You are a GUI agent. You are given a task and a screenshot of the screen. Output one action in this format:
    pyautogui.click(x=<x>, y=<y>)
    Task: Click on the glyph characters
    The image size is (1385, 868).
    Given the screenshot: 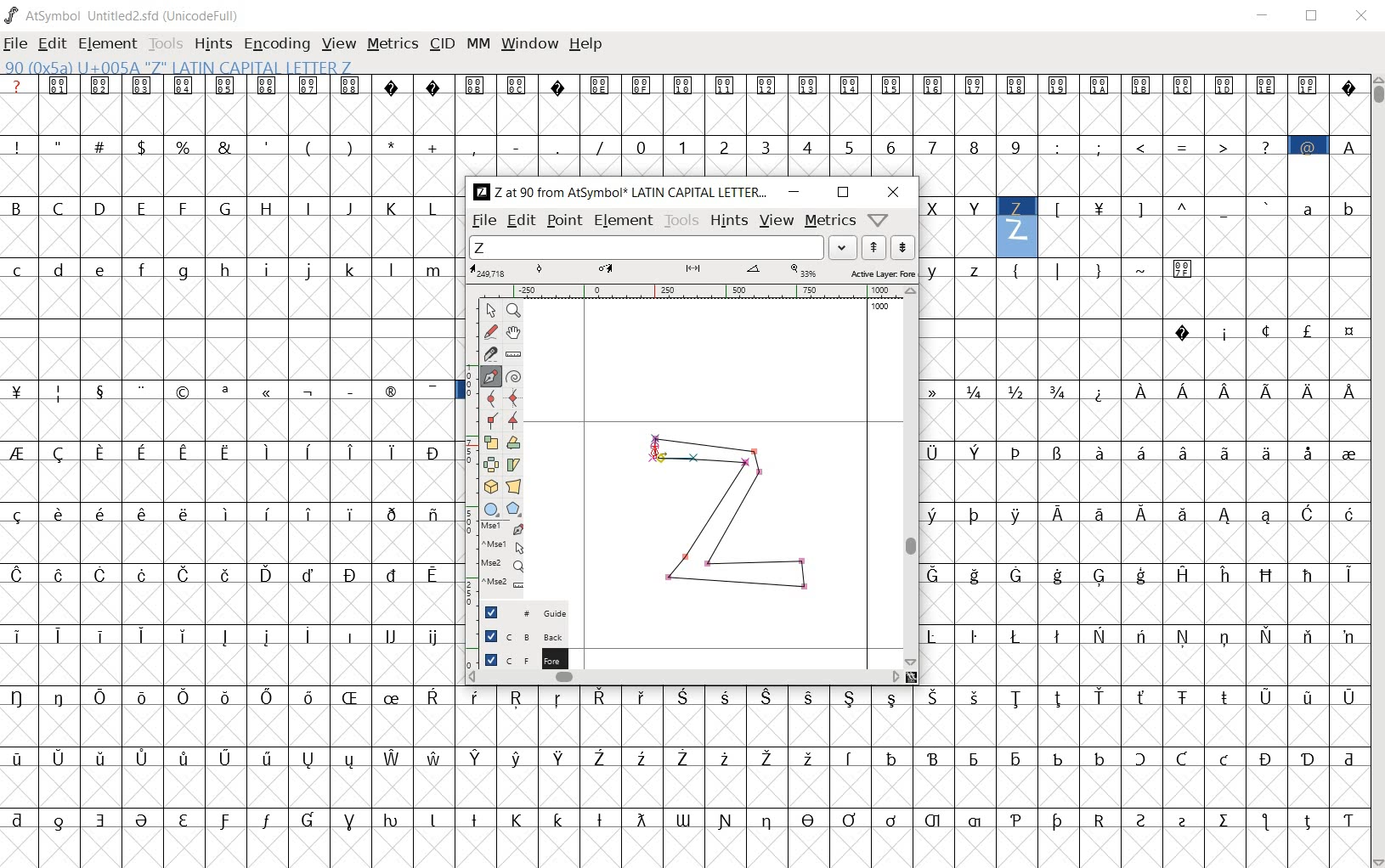 What is the action you would take?
    pyautogui.click(x=930, y=125)
    